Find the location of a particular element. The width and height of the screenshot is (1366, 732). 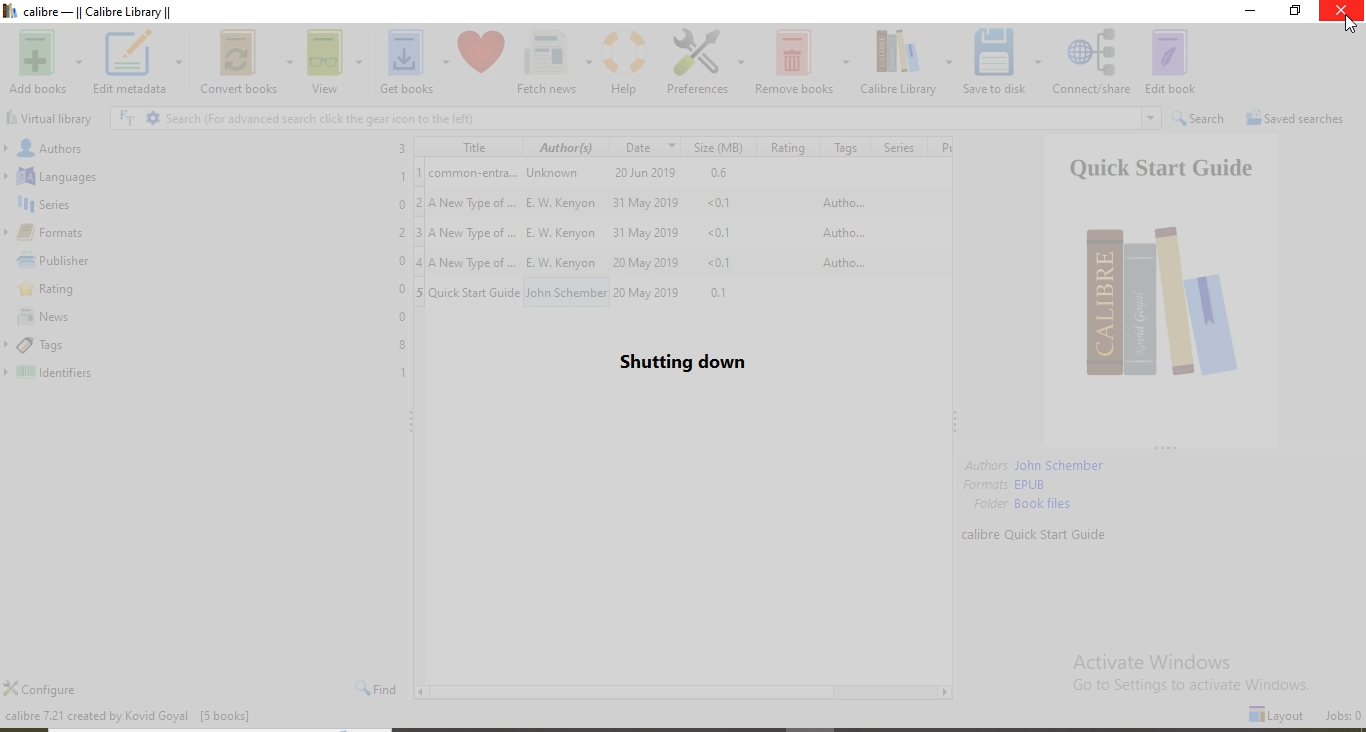

E W Kenyon is located at coordinates (563, 203).